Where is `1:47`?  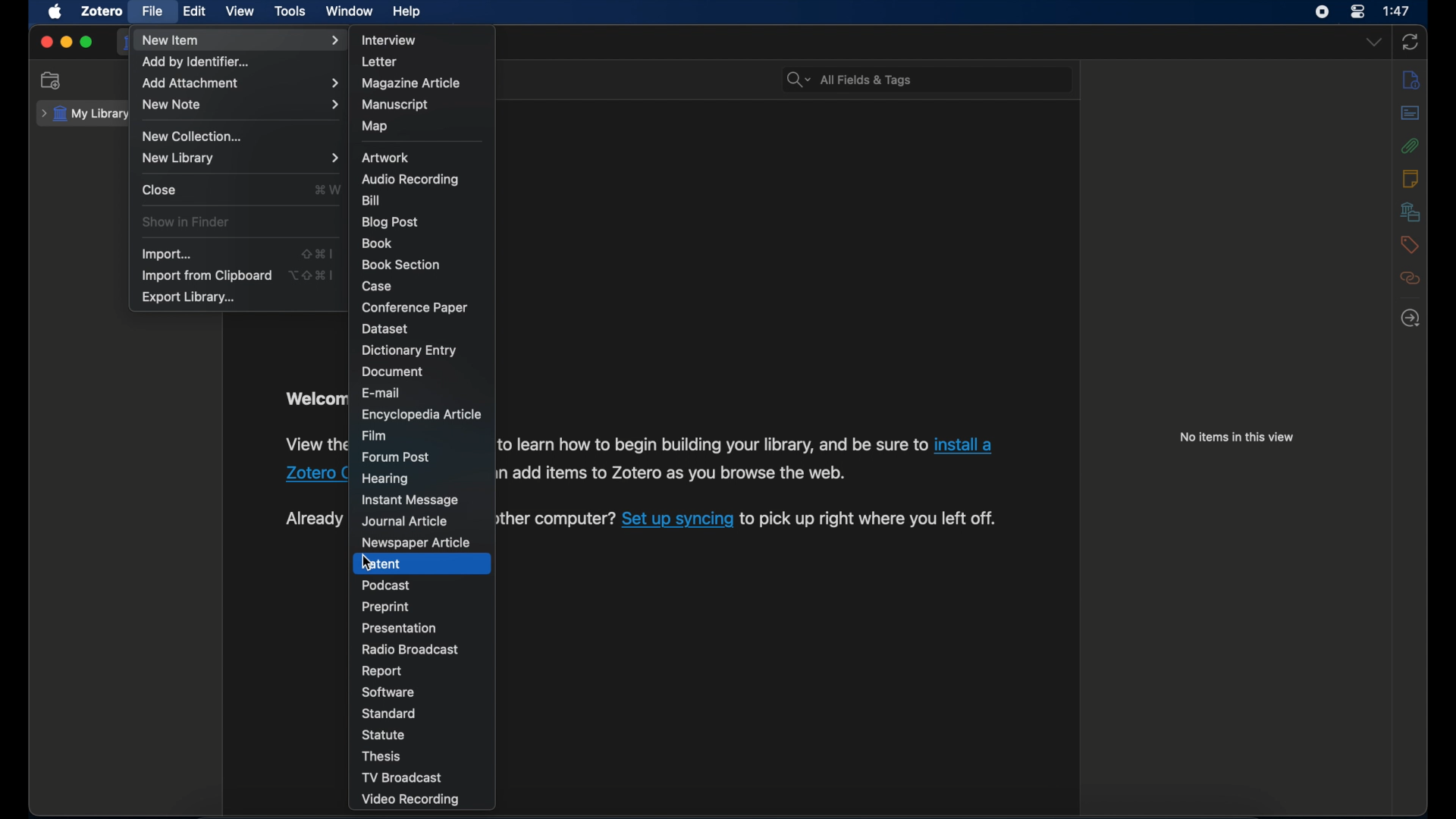
1:47 is located at coordinates (1398, 10).